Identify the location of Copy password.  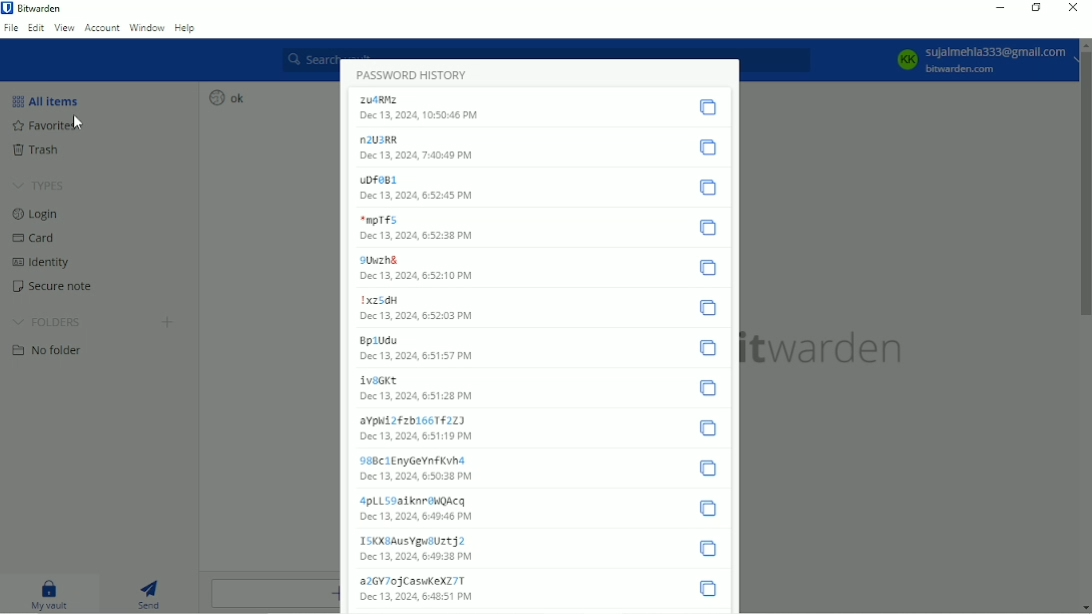
(710, 428).